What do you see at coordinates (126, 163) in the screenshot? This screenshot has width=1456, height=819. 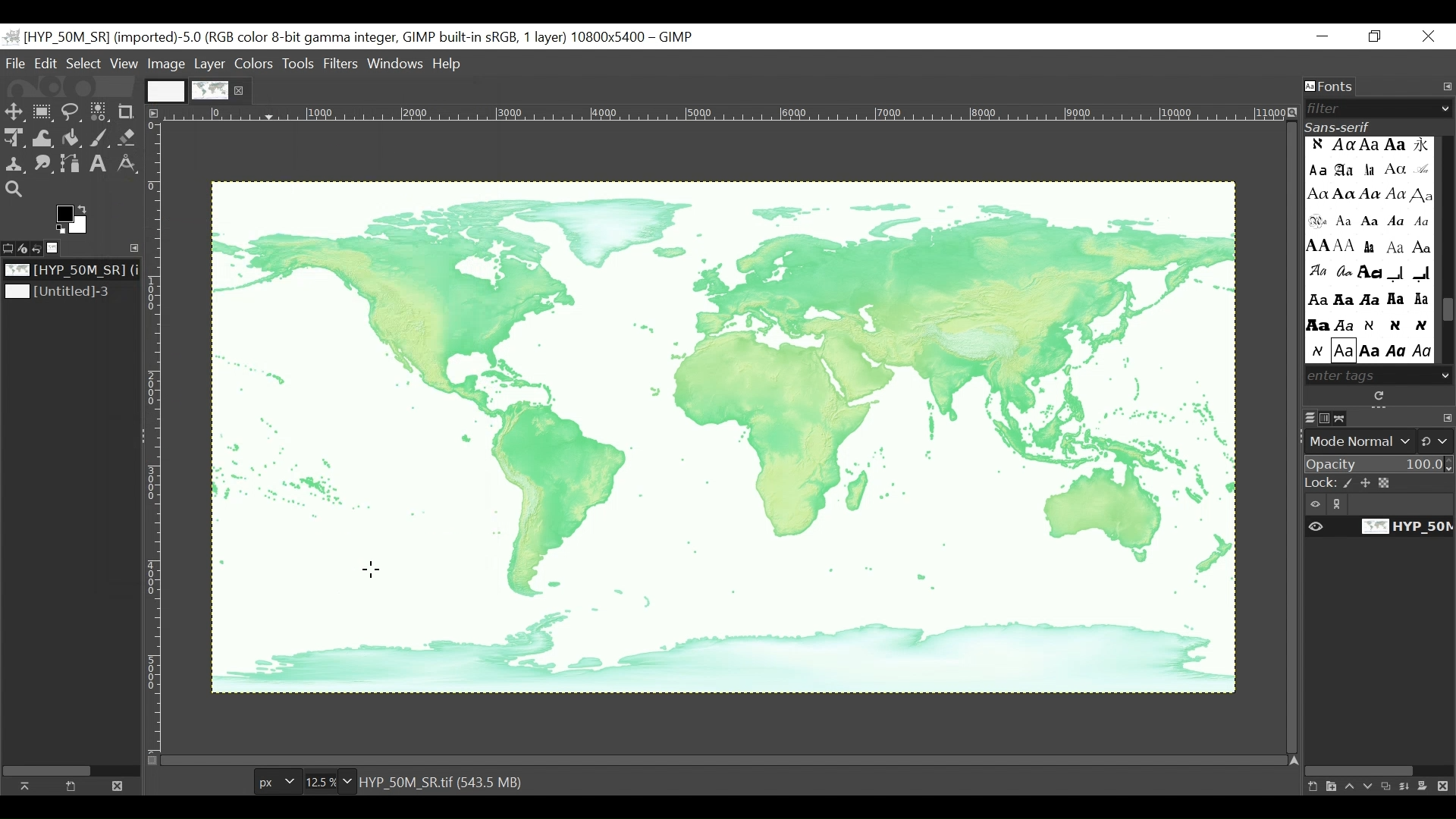 I see `Measure Tool` at bounding box center [126, 163].